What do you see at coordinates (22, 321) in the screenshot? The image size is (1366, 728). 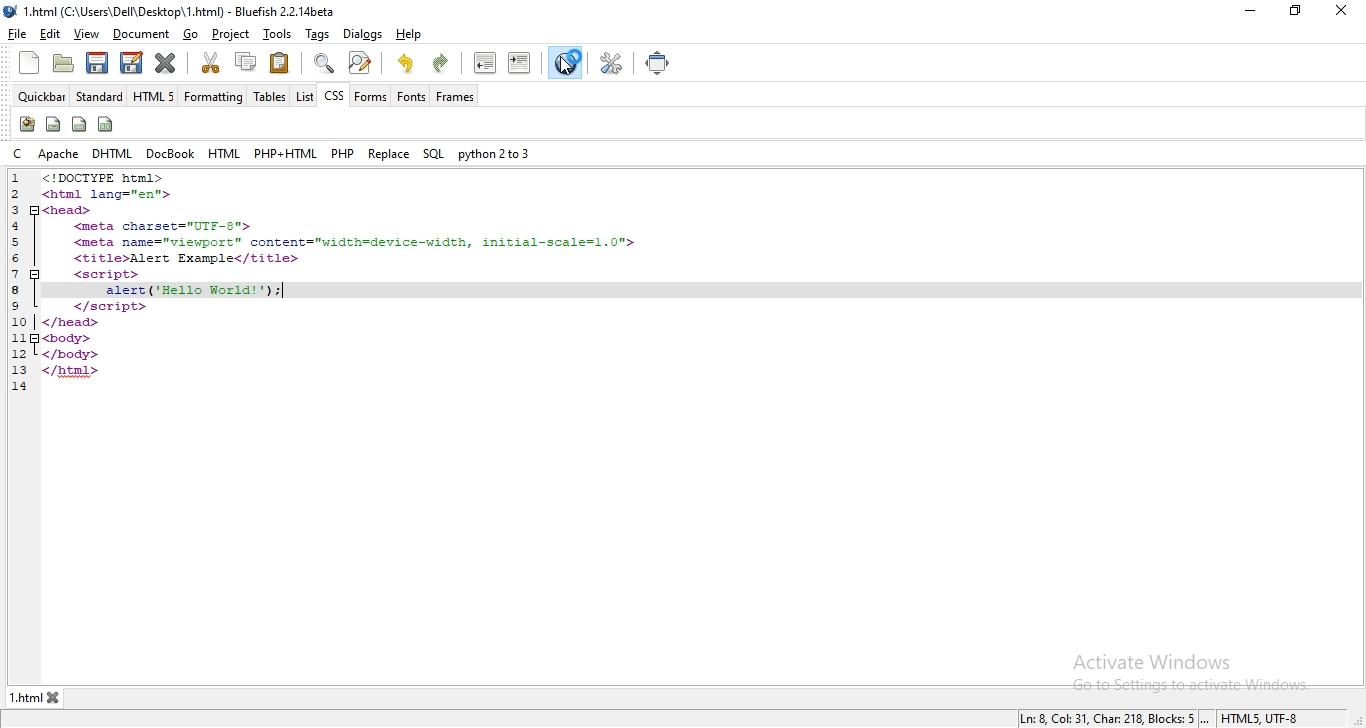 I see `10` at bounding box center [22, 321].